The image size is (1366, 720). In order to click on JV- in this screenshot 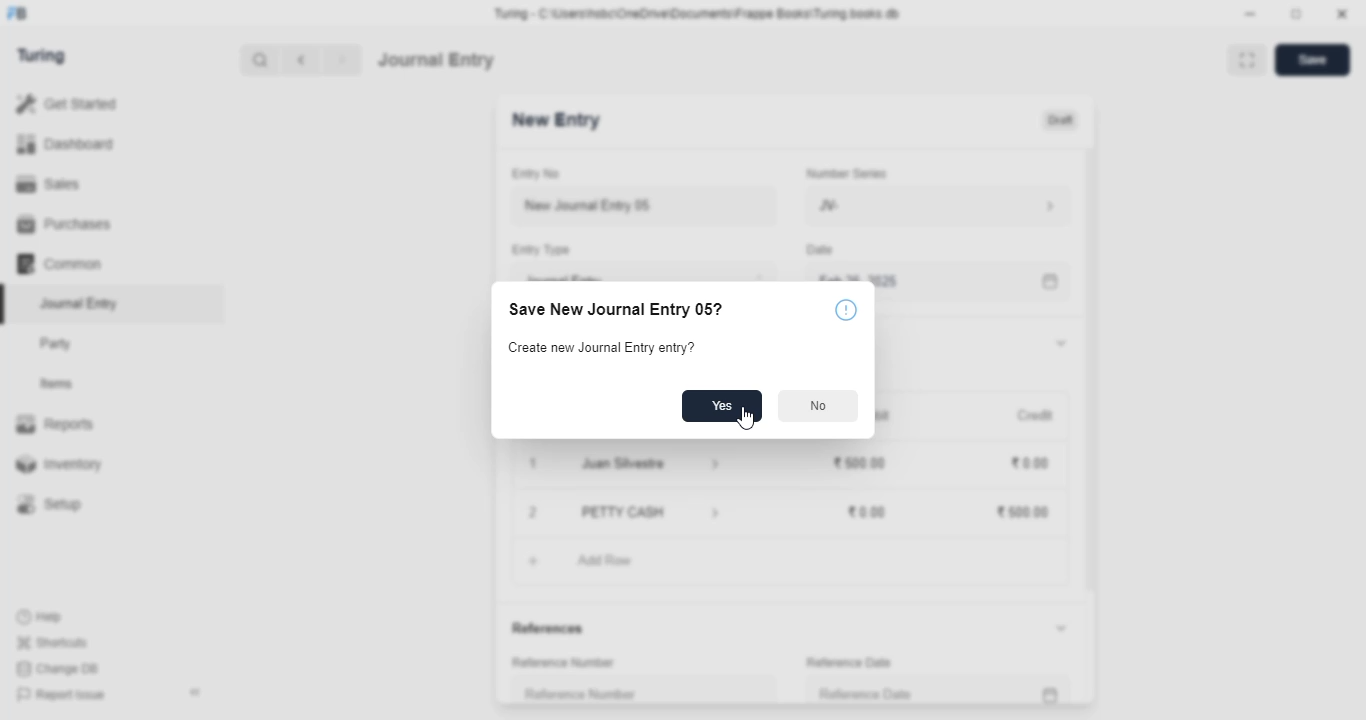, I will do `click(939, 206)`.